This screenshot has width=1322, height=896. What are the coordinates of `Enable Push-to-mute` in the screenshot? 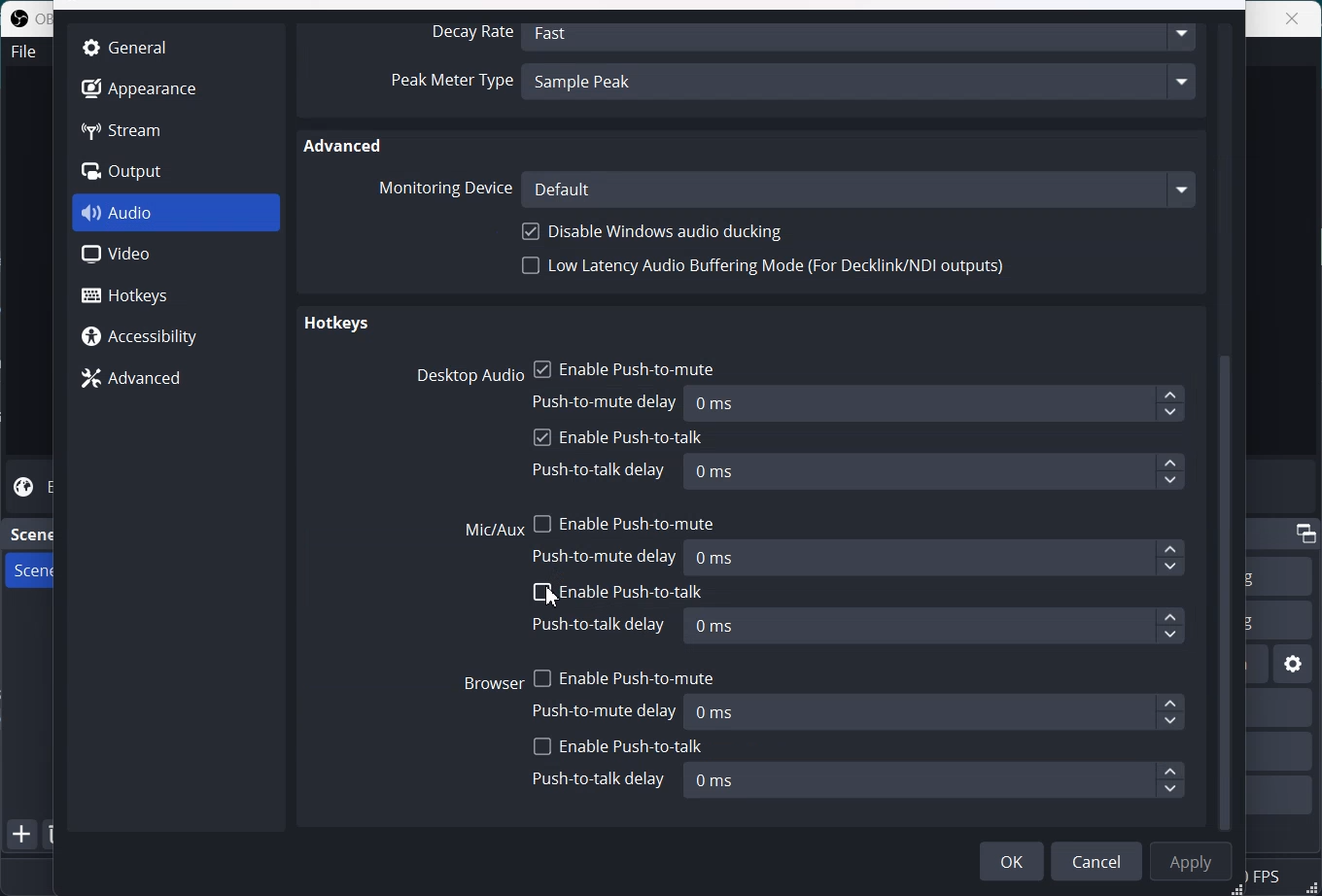 It's located at (625, 366).